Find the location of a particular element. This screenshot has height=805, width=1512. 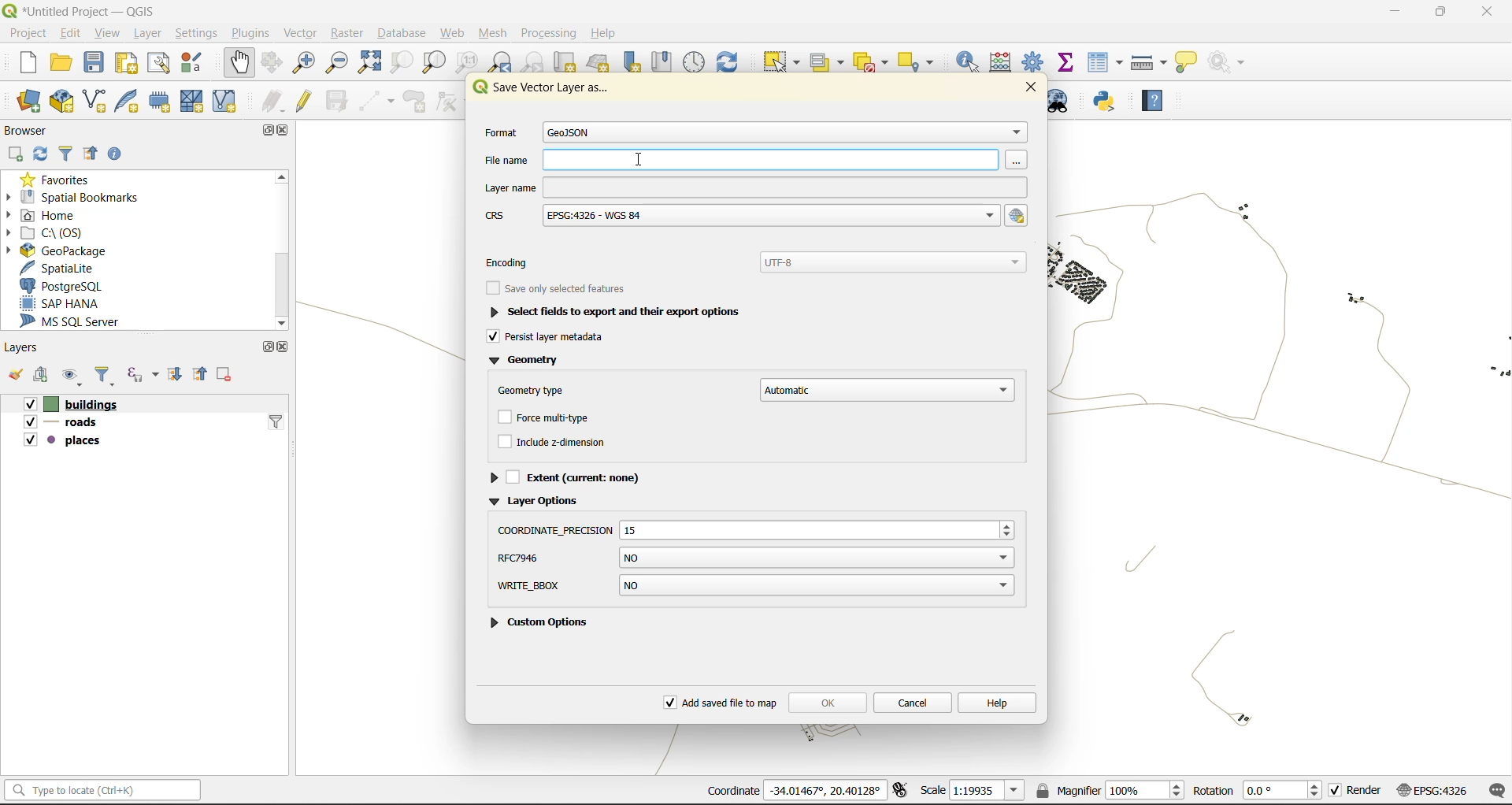

toggle extents is located at coordinates (903, 791).